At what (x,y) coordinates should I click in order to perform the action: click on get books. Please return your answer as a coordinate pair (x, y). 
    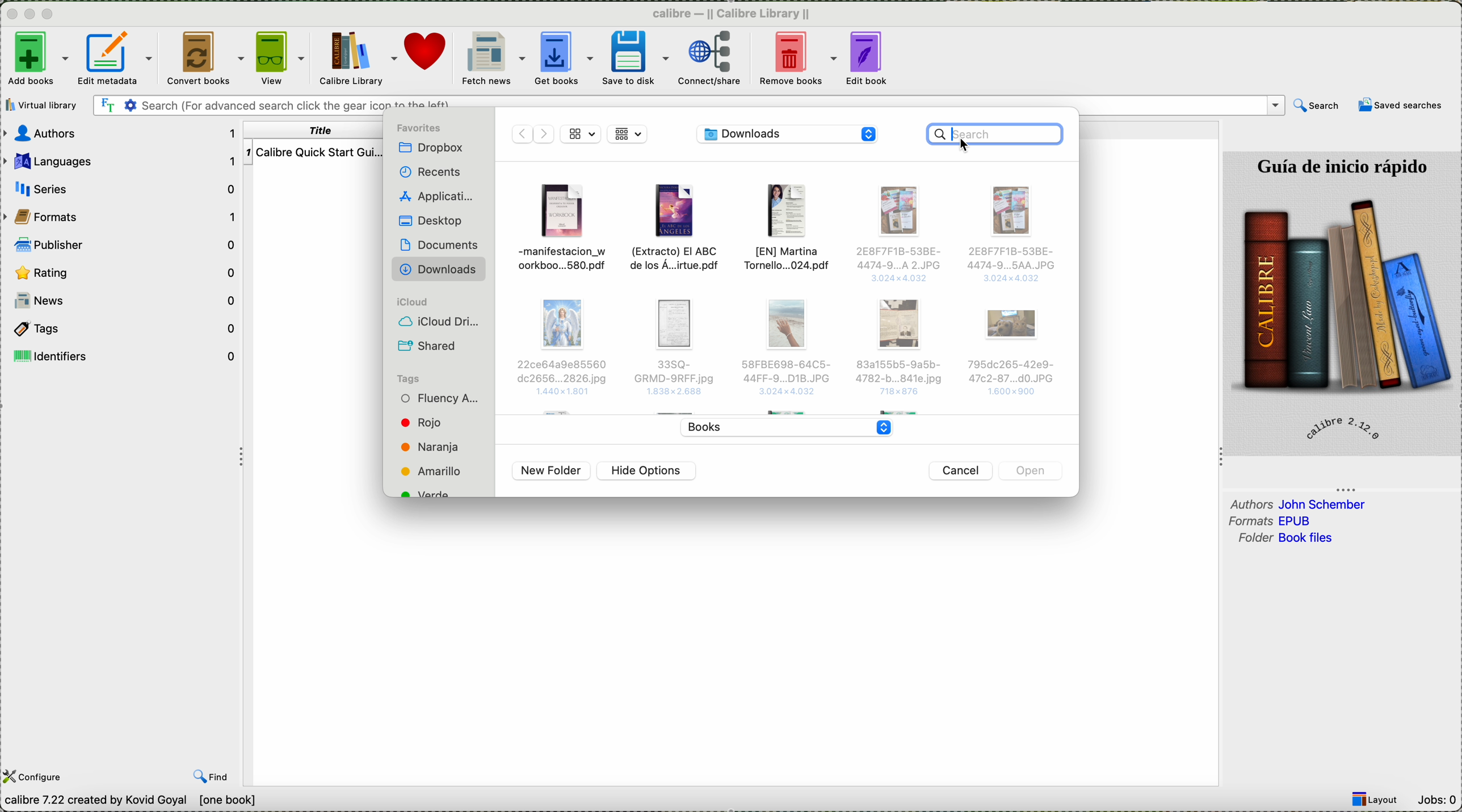
    Looking at the image, I should click on (564, 57).